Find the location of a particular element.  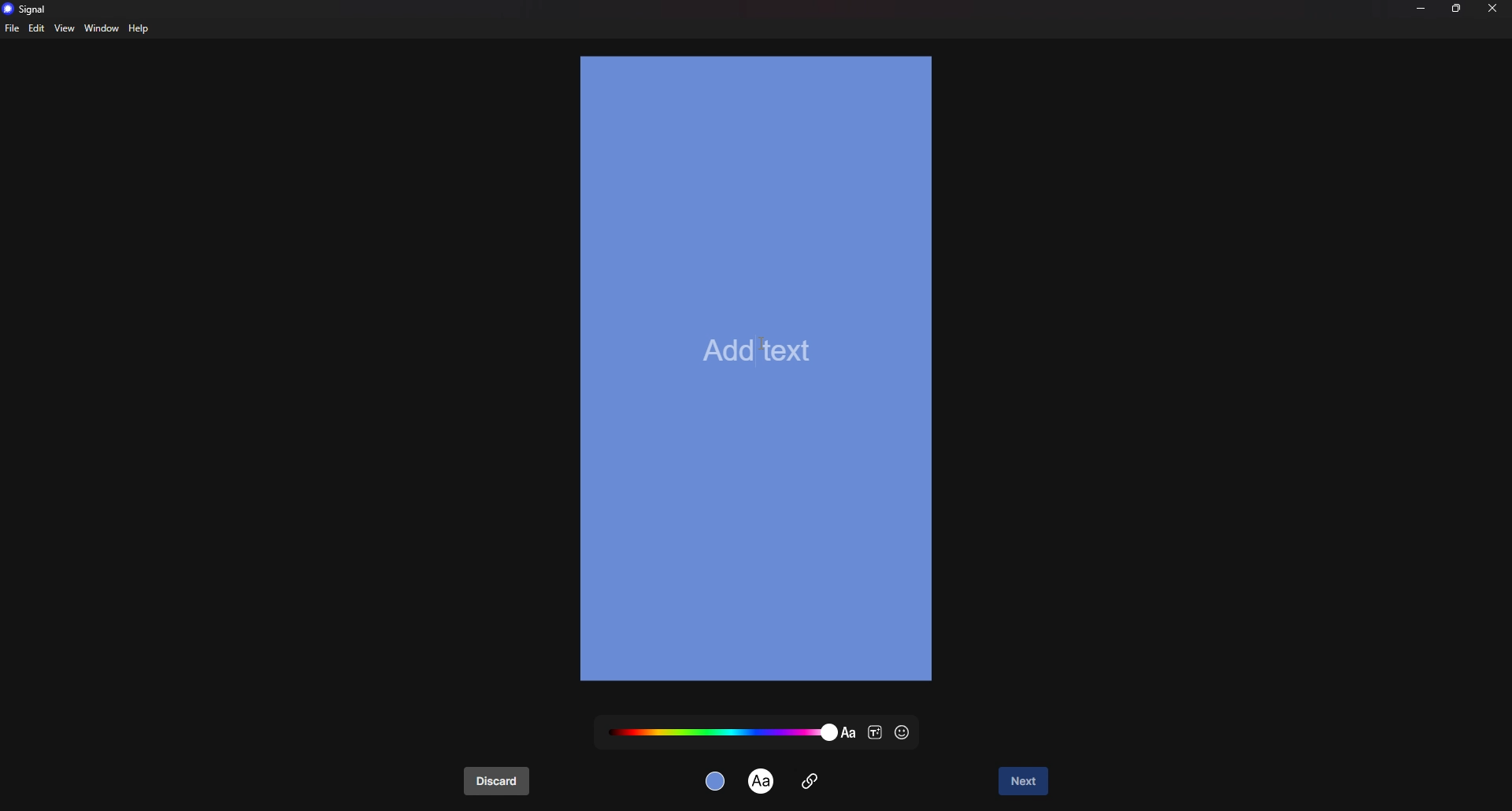

emoji is located at coordinates (904, 733).